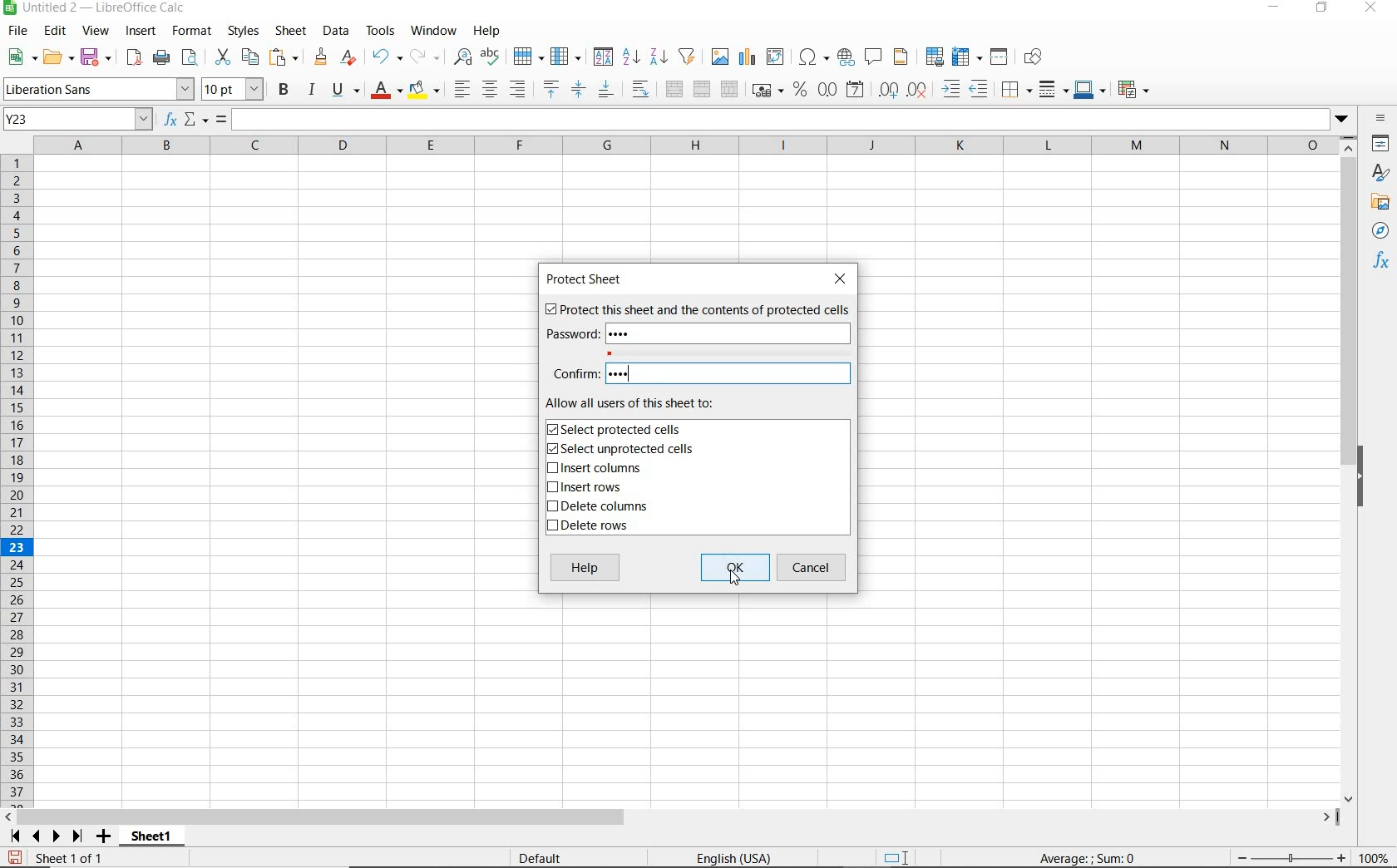  Describe the element at coordinates (550, 89) in the screenshot. I see `ALIGN TOP` at that location.